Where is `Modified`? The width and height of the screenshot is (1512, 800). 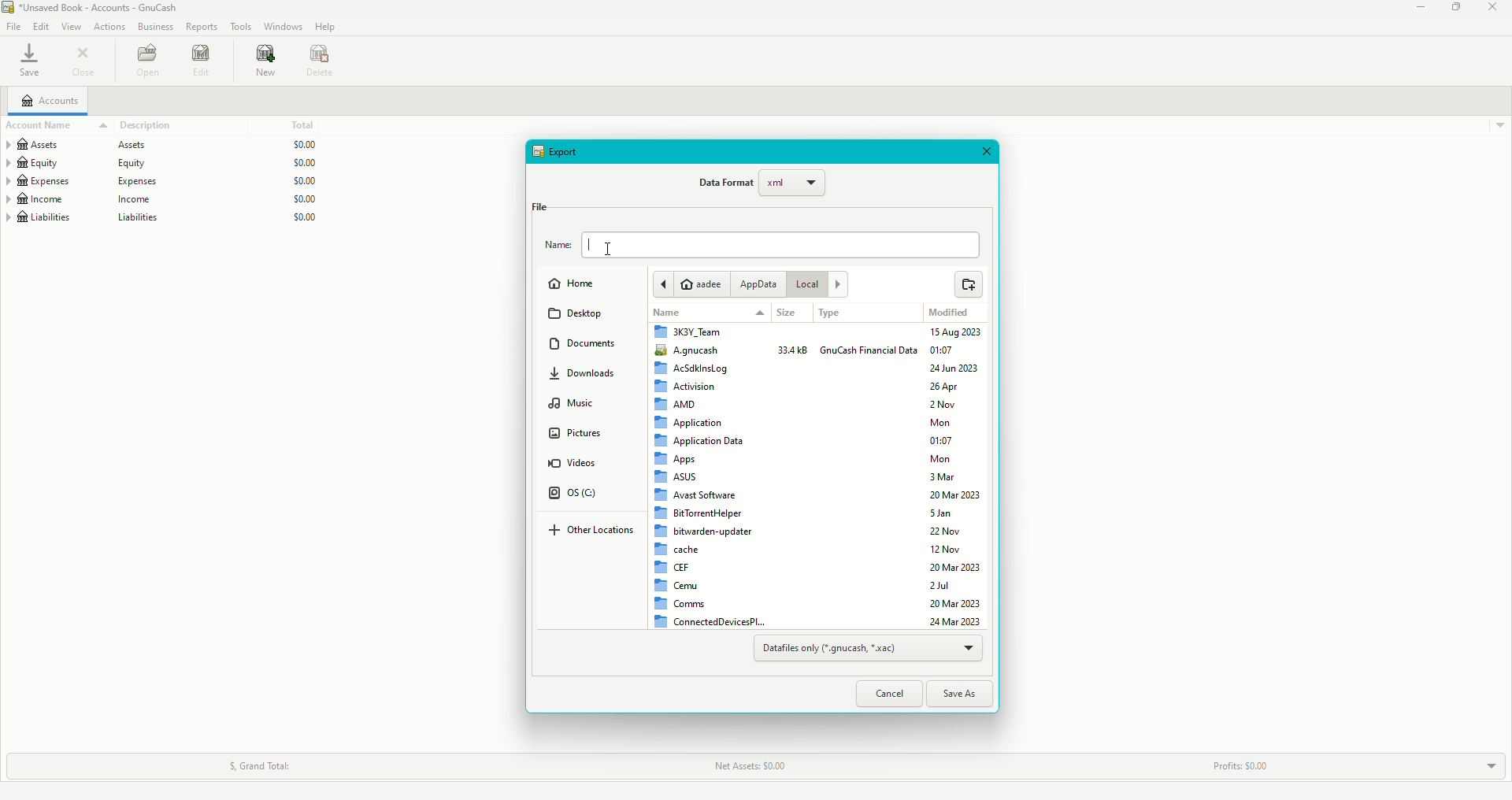 Modified is located at coordinates (951, 313).